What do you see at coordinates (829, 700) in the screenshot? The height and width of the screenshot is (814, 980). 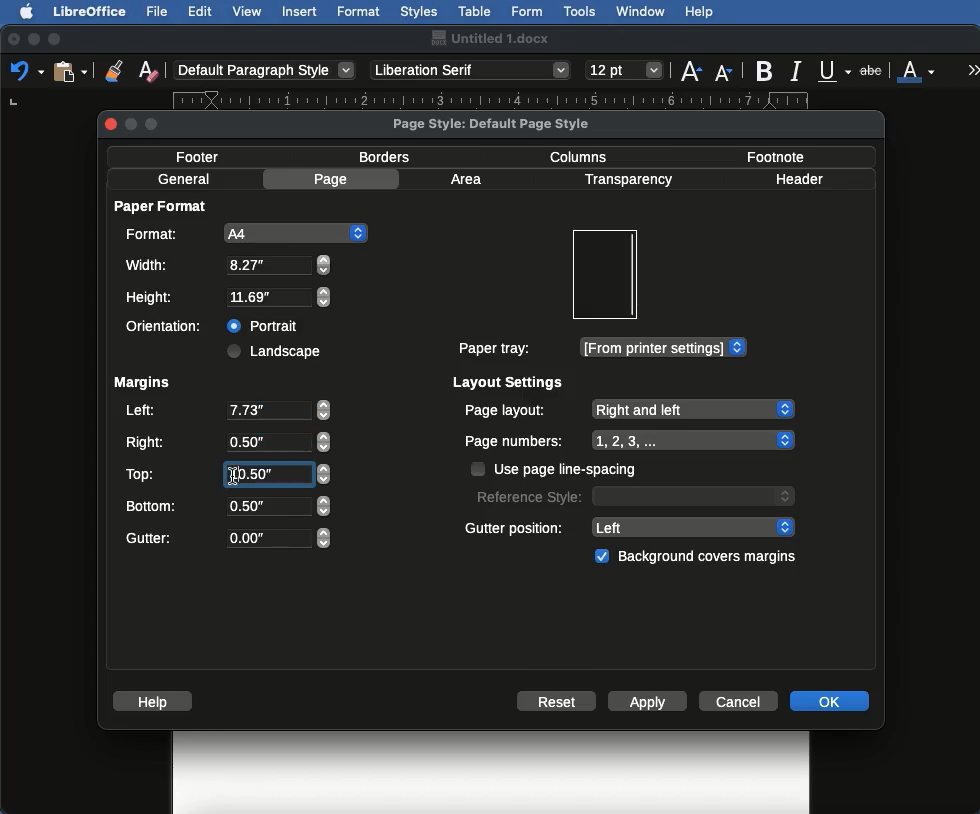 I see `OK` at bounding box center [829, 700].